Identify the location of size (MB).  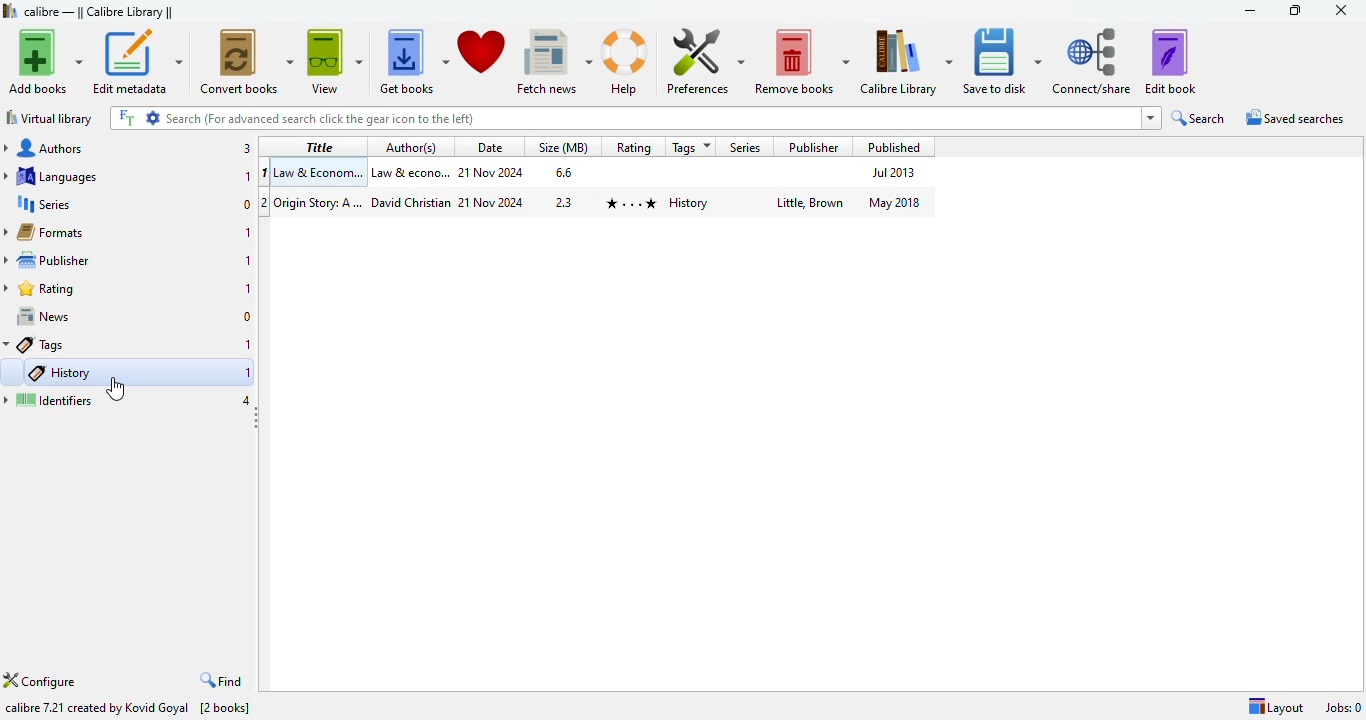
(562, 147).